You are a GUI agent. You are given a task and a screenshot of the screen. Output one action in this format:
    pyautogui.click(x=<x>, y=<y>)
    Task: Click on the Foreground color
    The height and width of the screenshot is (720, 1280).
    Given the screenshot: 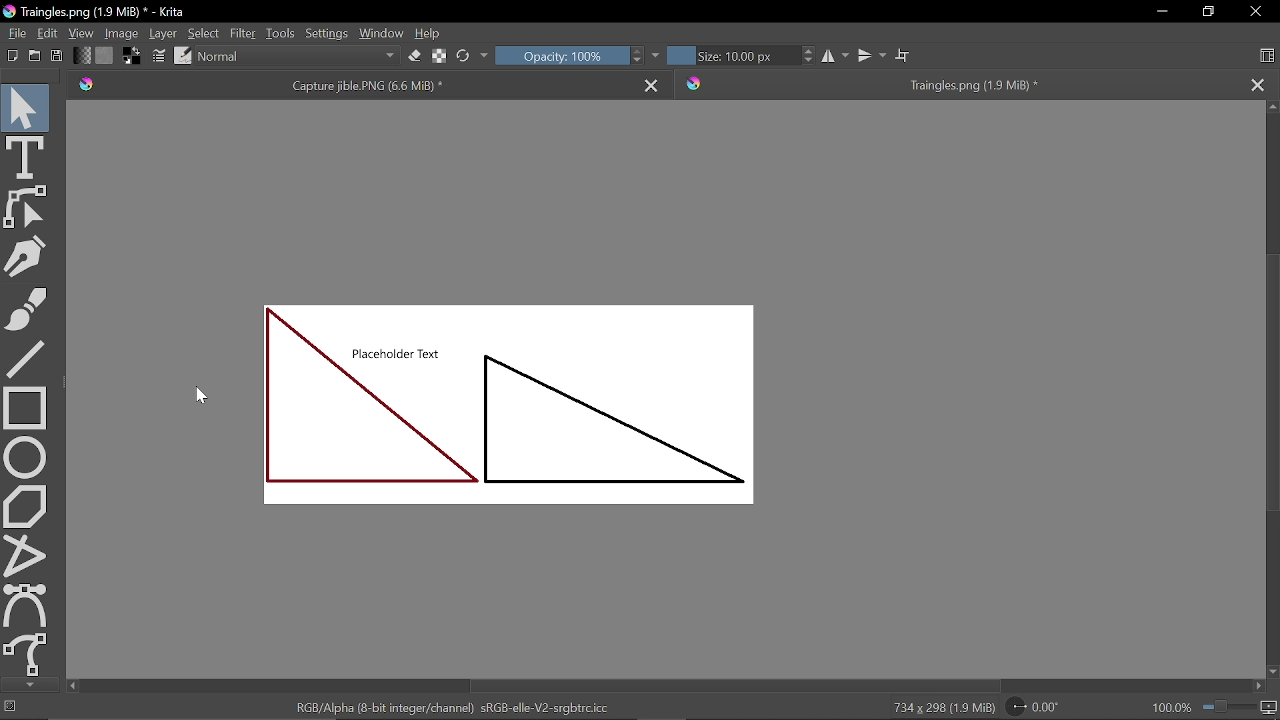 What is the action you would take?
    pyautogui.click(x=133, y=57)
    